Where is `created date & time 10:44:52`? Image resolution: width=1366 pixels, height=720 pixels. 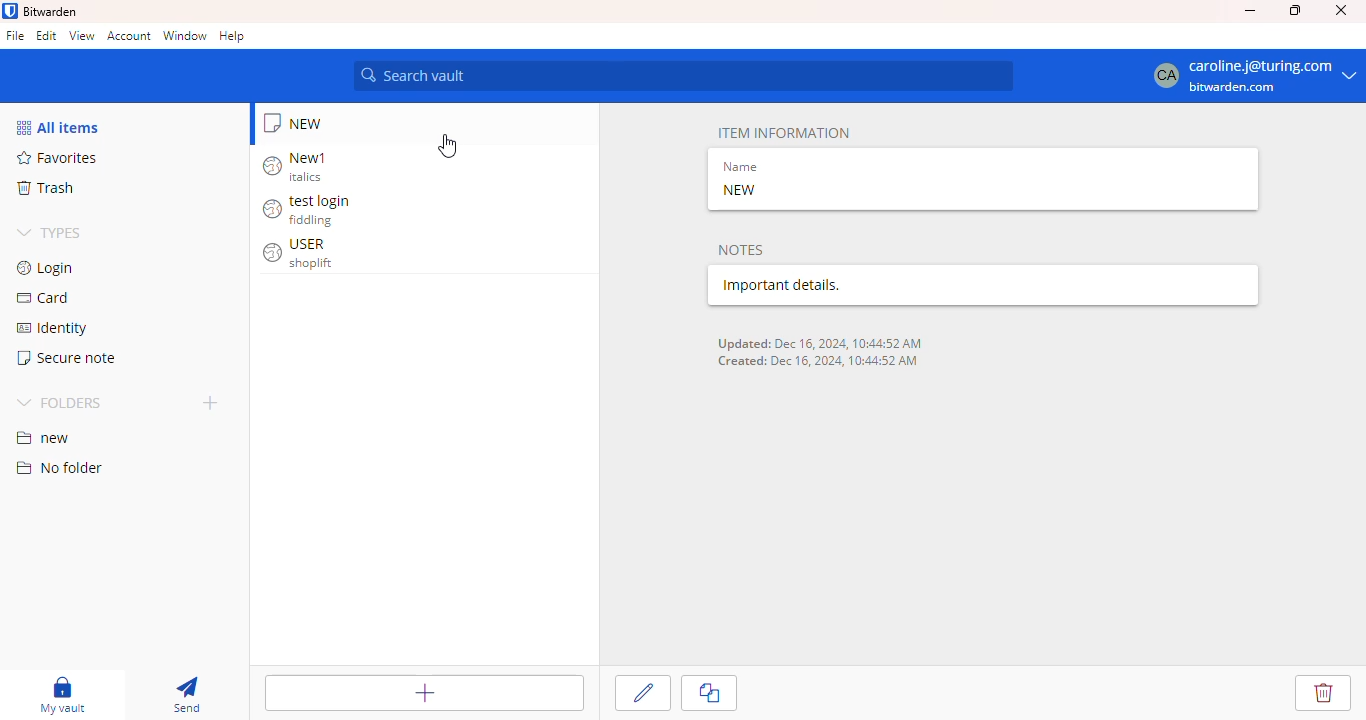 created date & time 10:44:52 is located at coordinates (815, 365).